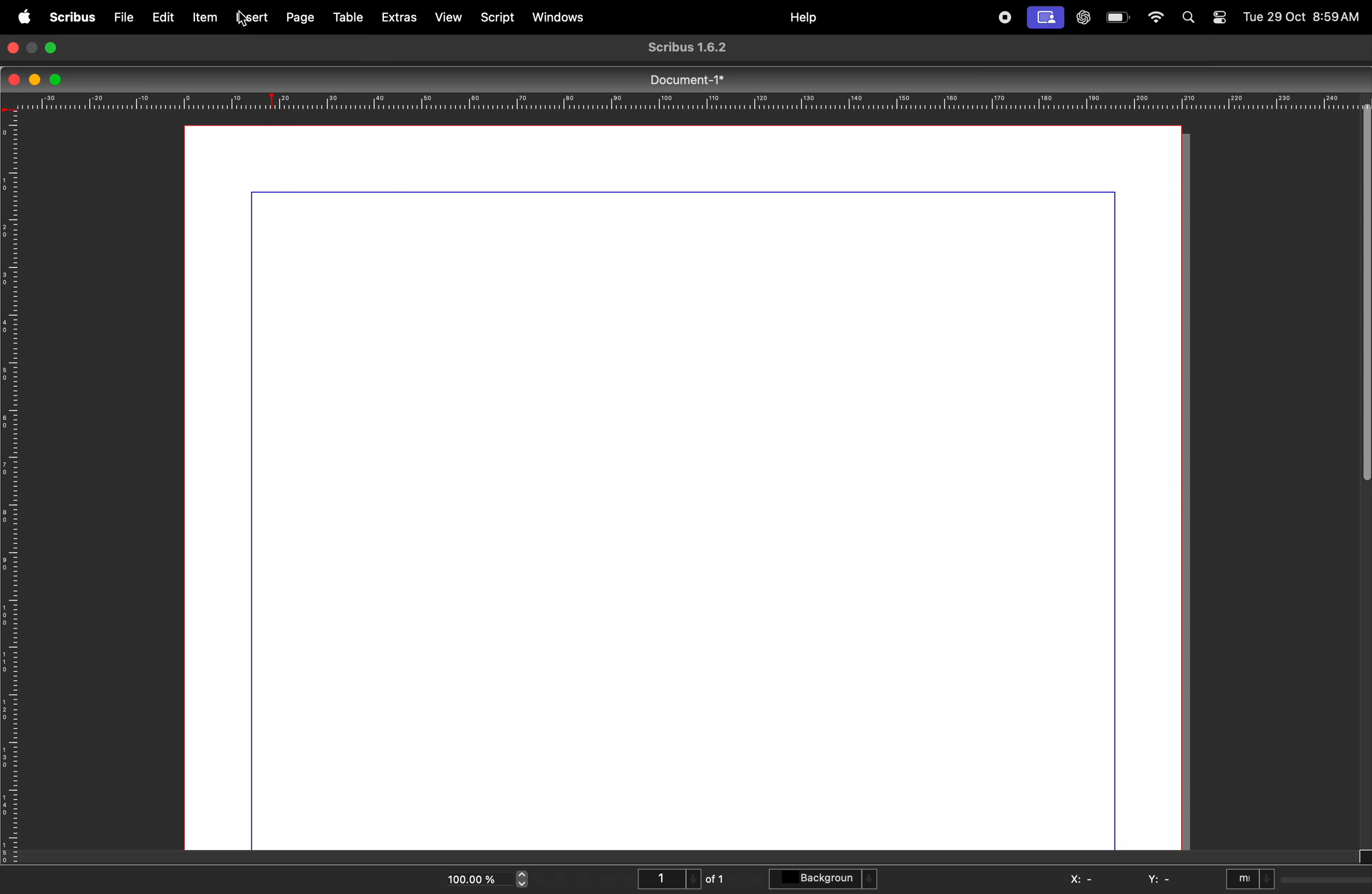  What do you see at coordinates (22, 16) in the screenshot?
I see `apple menu` at bounding box center [22, 16].